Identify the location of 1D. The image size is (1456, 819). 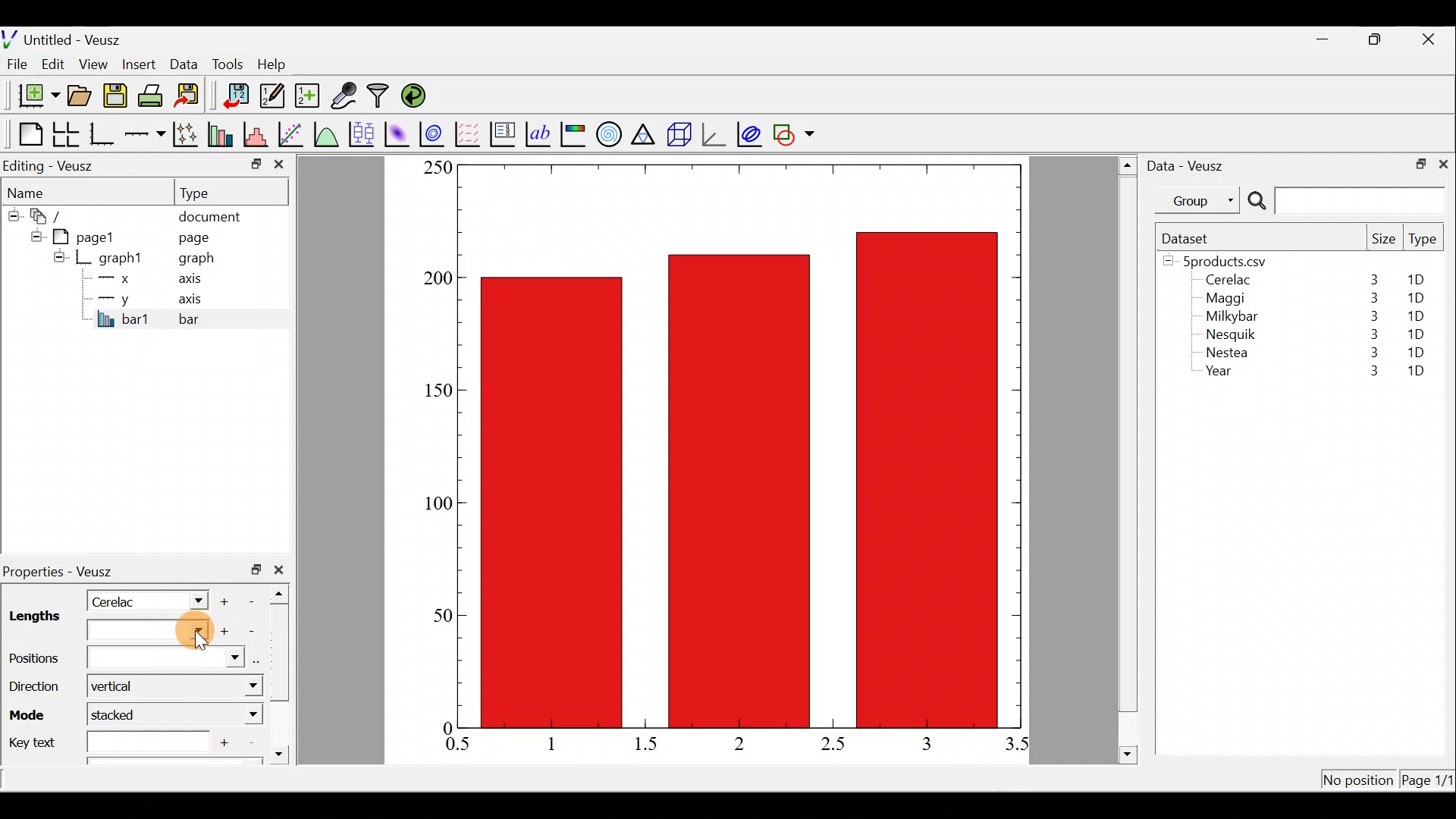
(1416, 372).